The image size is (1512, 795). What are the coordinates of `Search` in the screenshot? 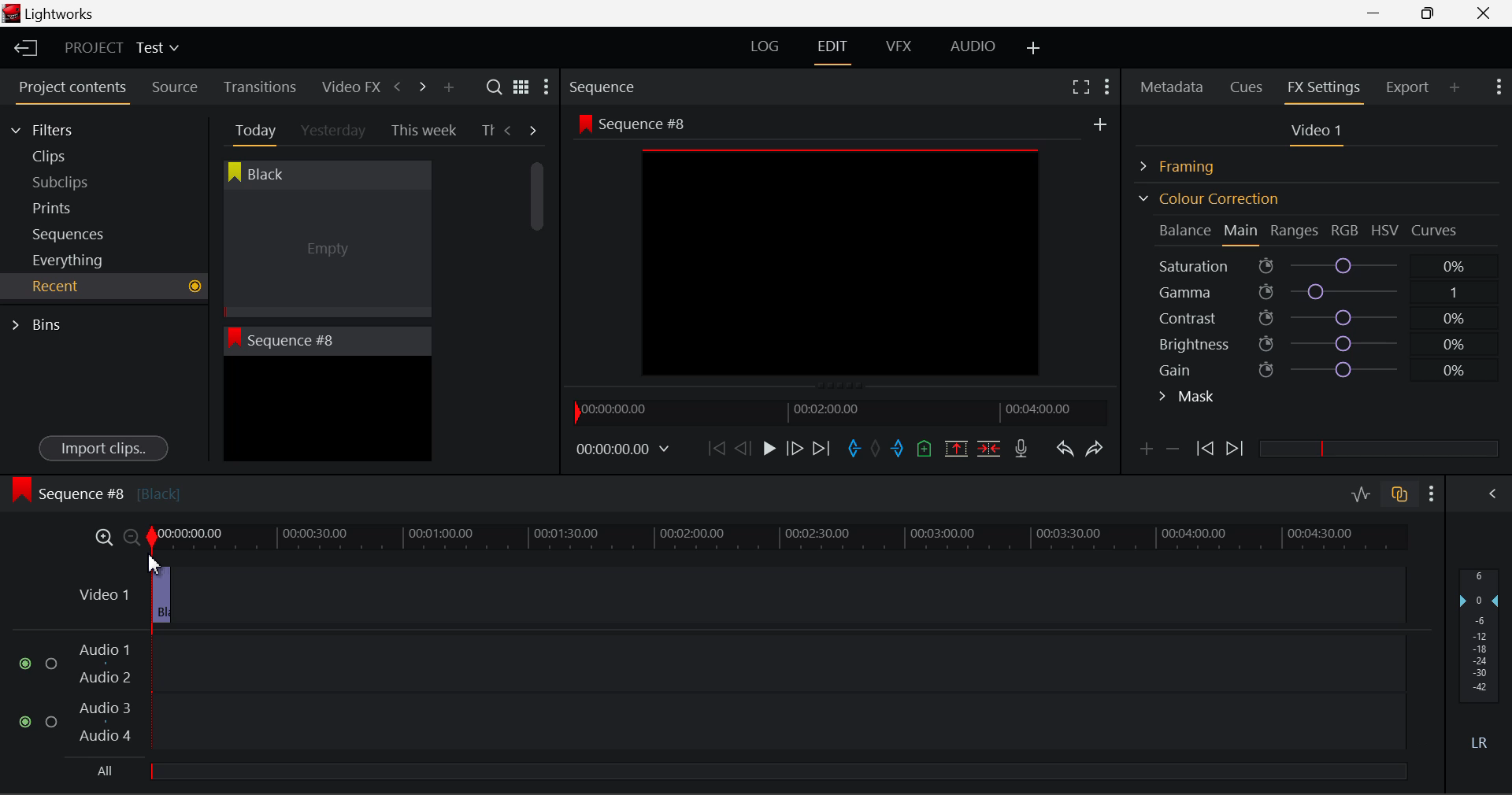 It's located at (496, 87).